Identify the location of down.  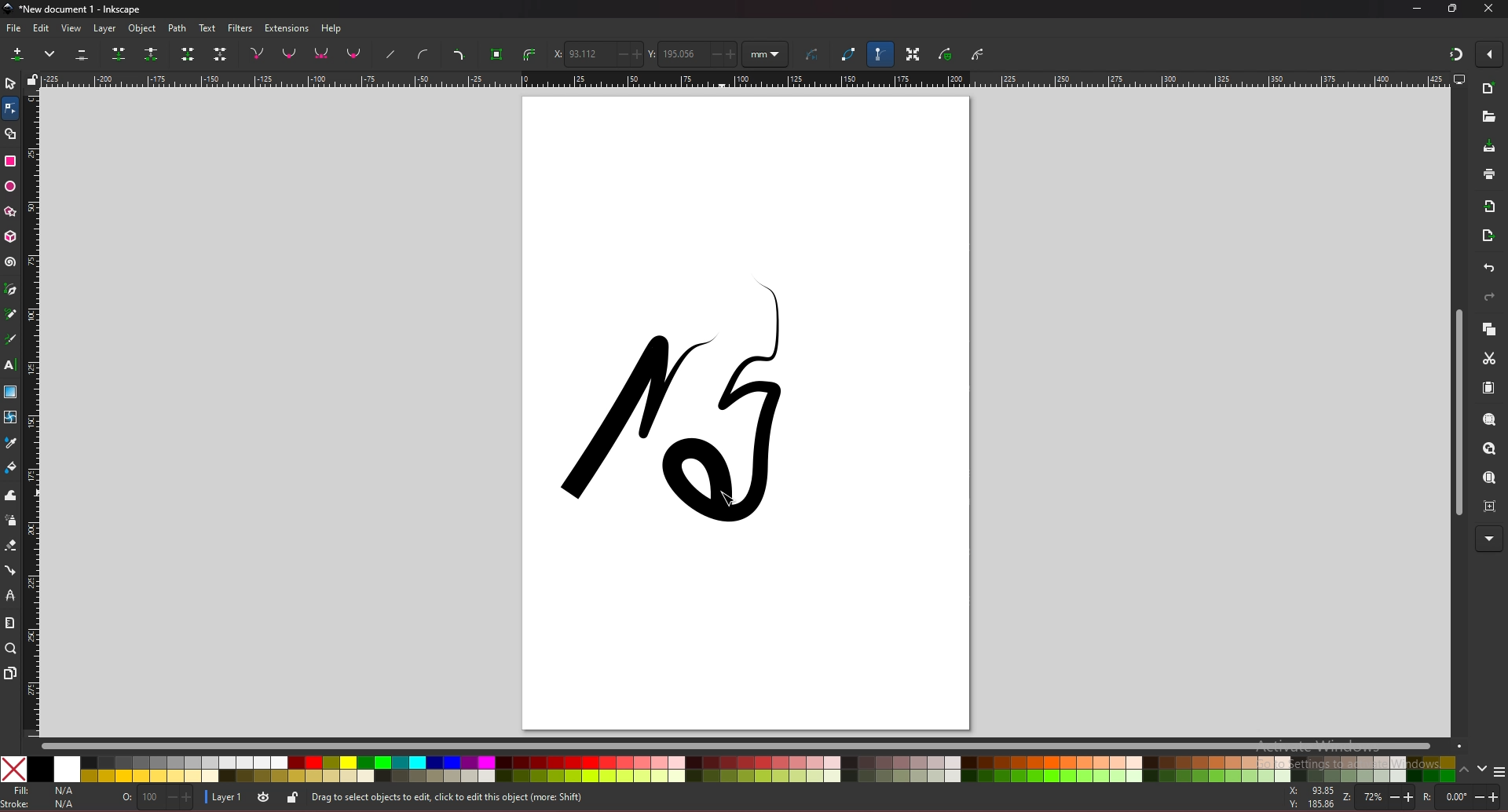
(1484, 769).